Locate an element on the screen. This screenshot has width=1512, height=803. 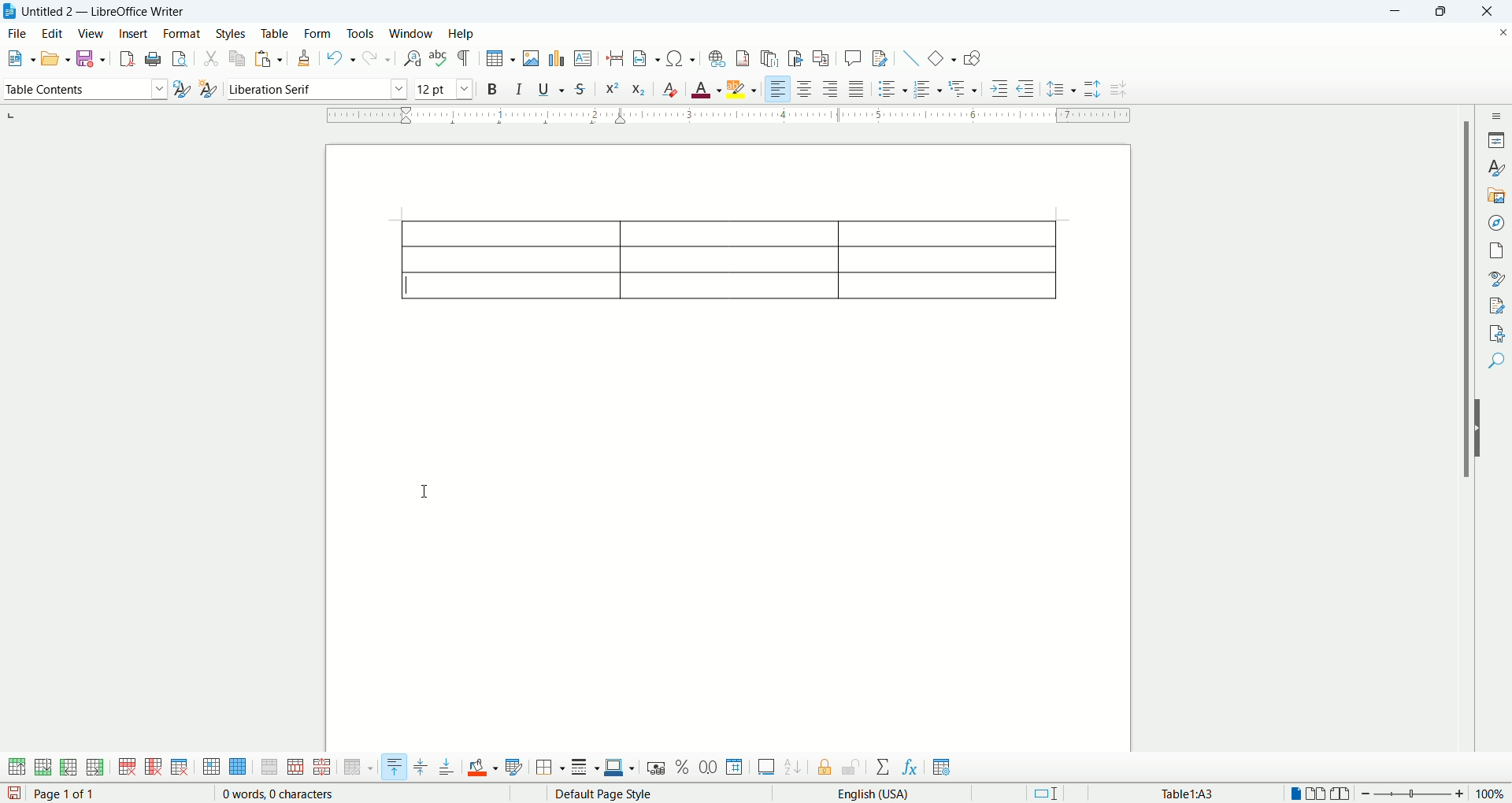
insert formula is located at coordinates (911, 768).